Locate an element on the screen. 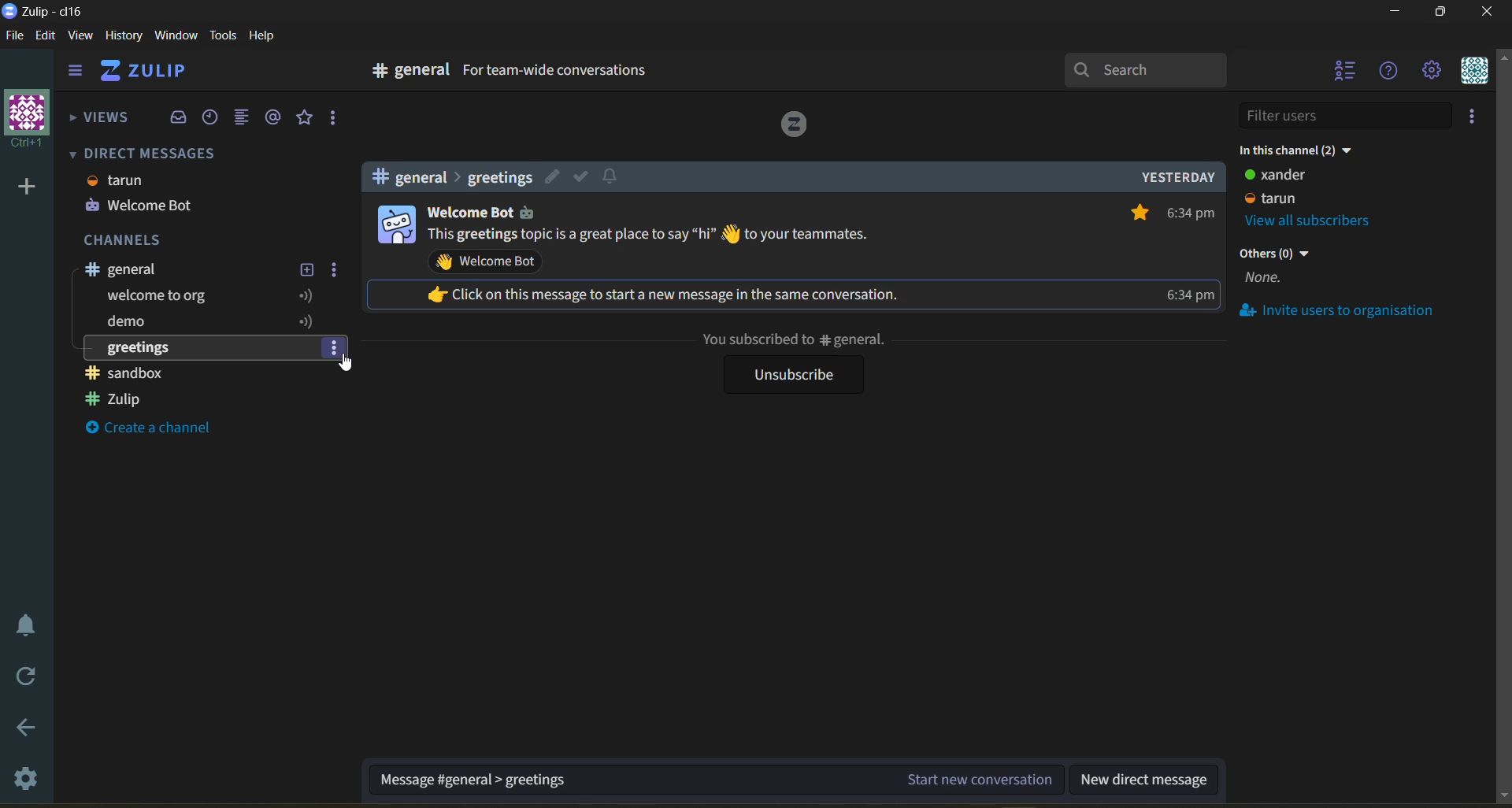 The image size is (1512, 808). you subscribed to general is located at coordinates (792, 340).